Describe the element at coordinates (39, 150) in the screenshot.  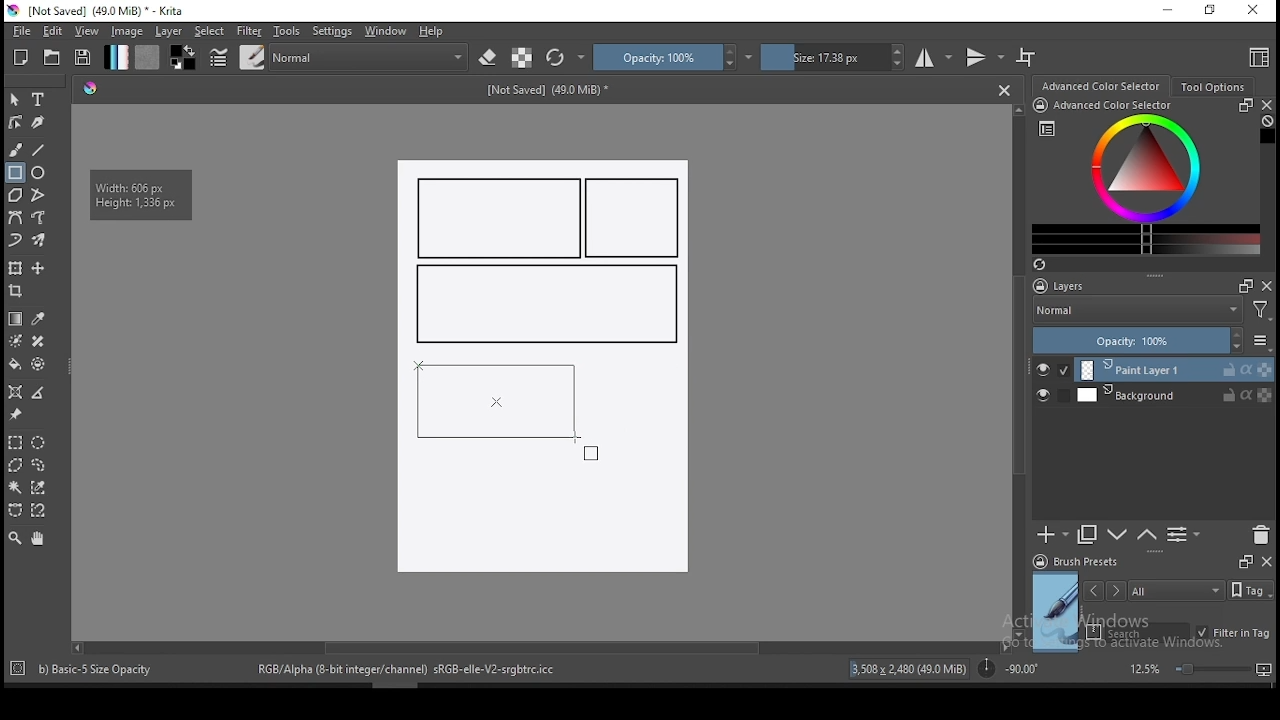
I see `line tool` at that location.